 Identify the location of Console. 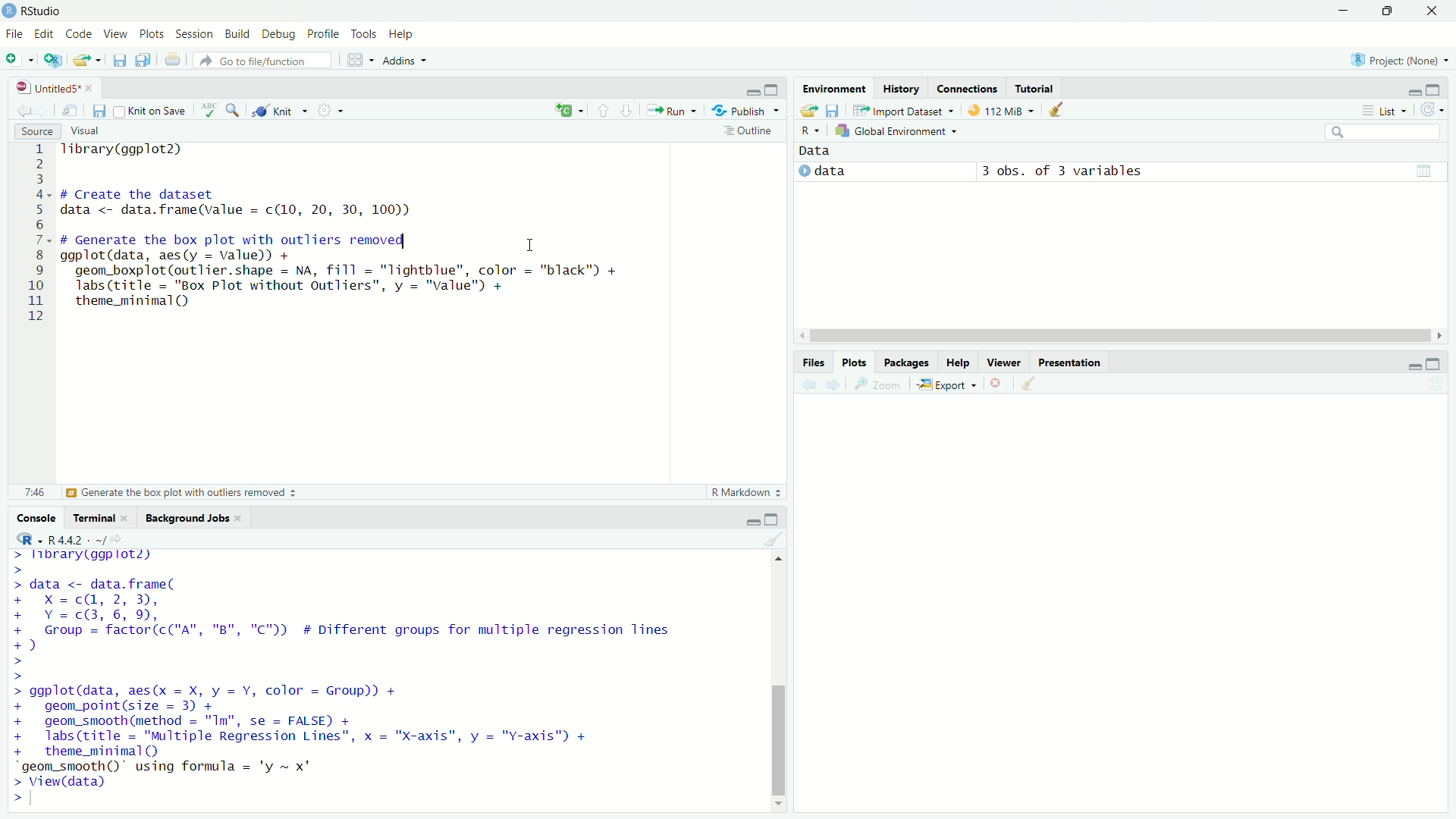
(36, 519).